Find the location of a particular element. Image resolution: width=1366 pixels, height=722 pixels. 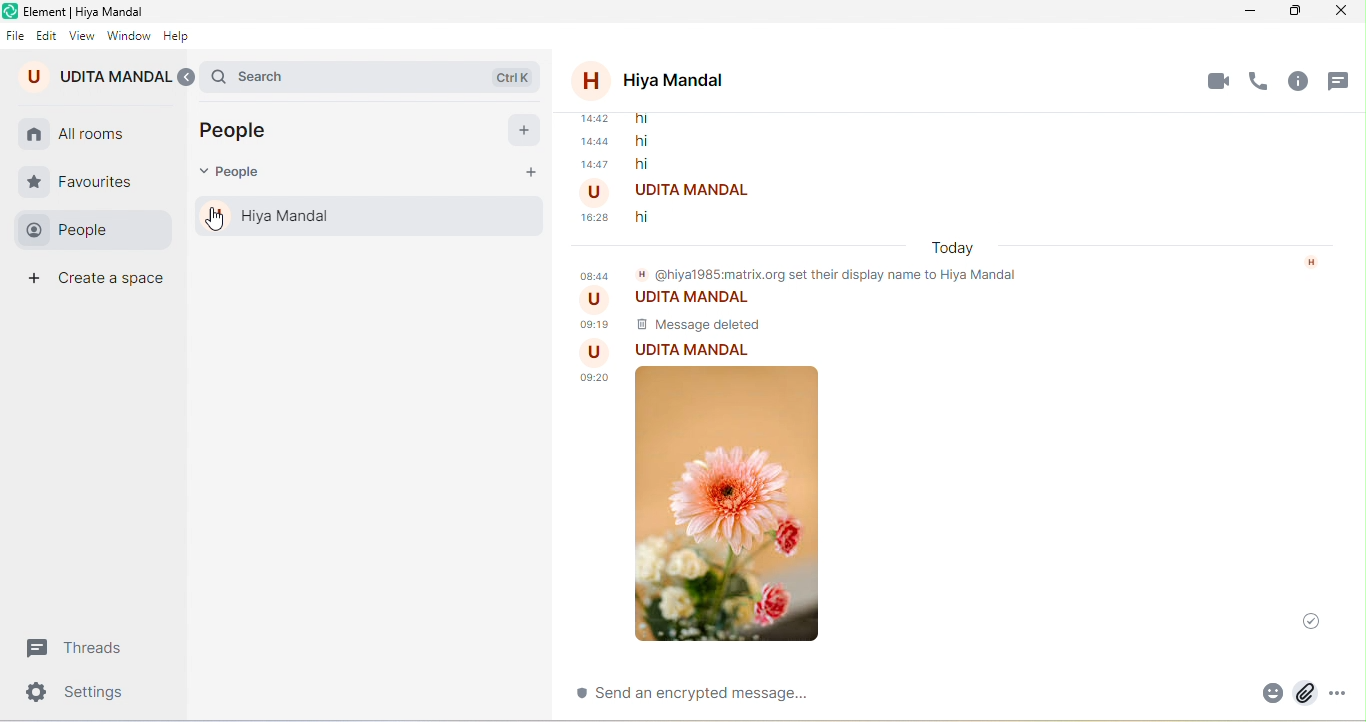

@hiya1985matrix.org set their display name to hiya mandal is located at coordinates (834, 277).